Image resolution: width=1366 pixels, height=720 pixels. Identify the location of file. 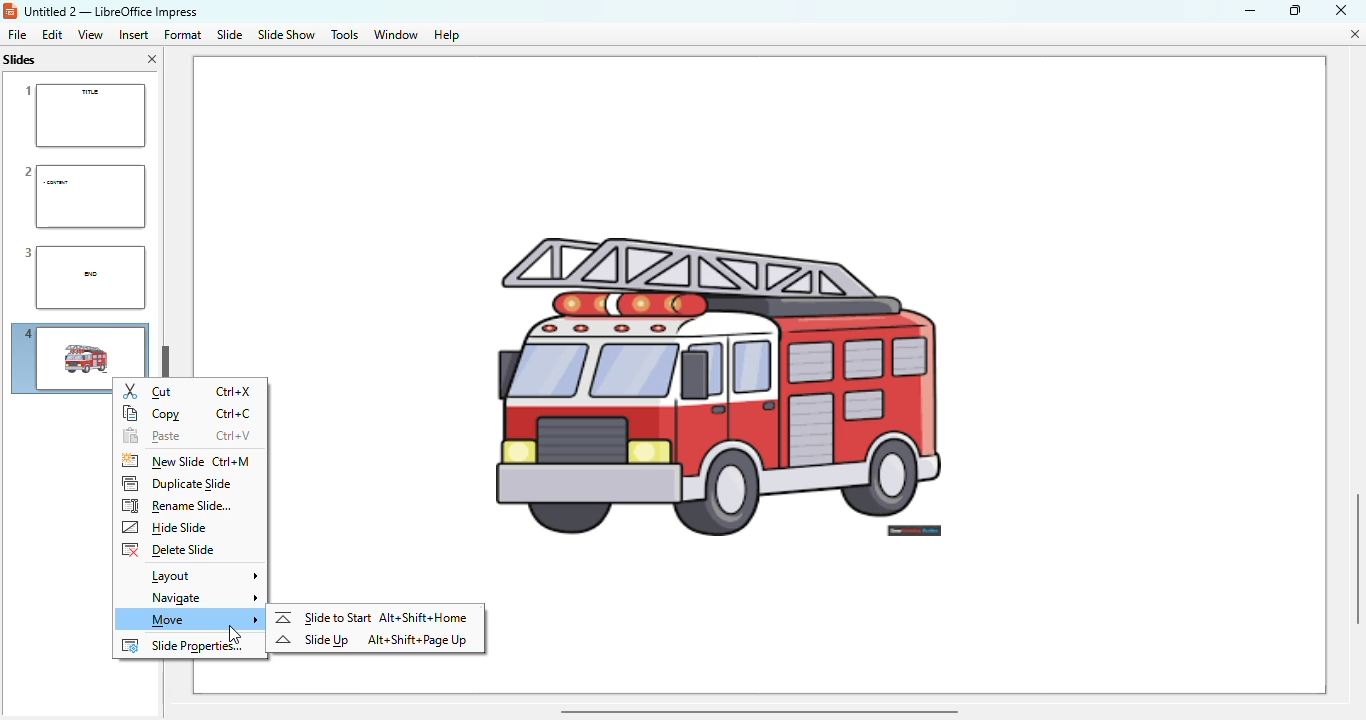
(17, 34).